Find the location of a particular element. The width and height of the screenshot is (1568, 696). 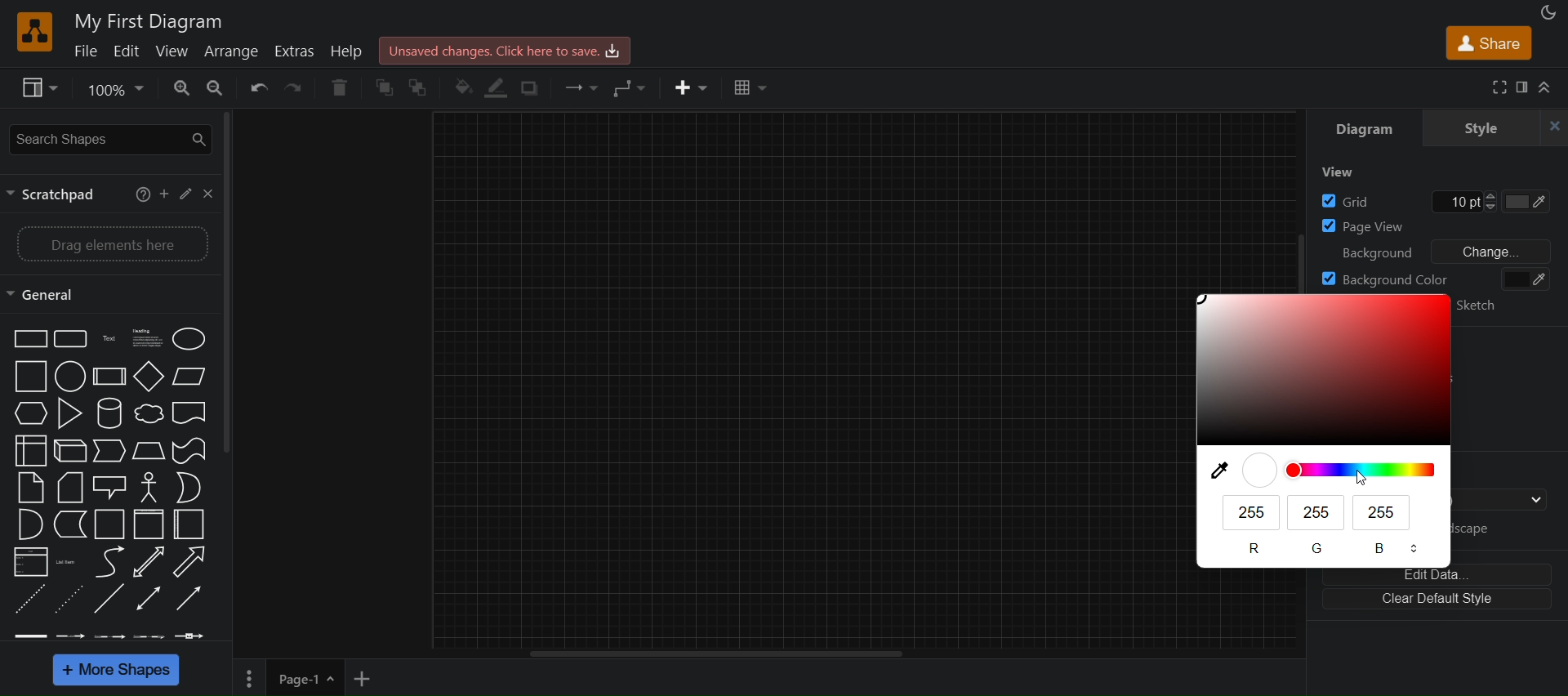

inser is located at coordinates (693, 88).